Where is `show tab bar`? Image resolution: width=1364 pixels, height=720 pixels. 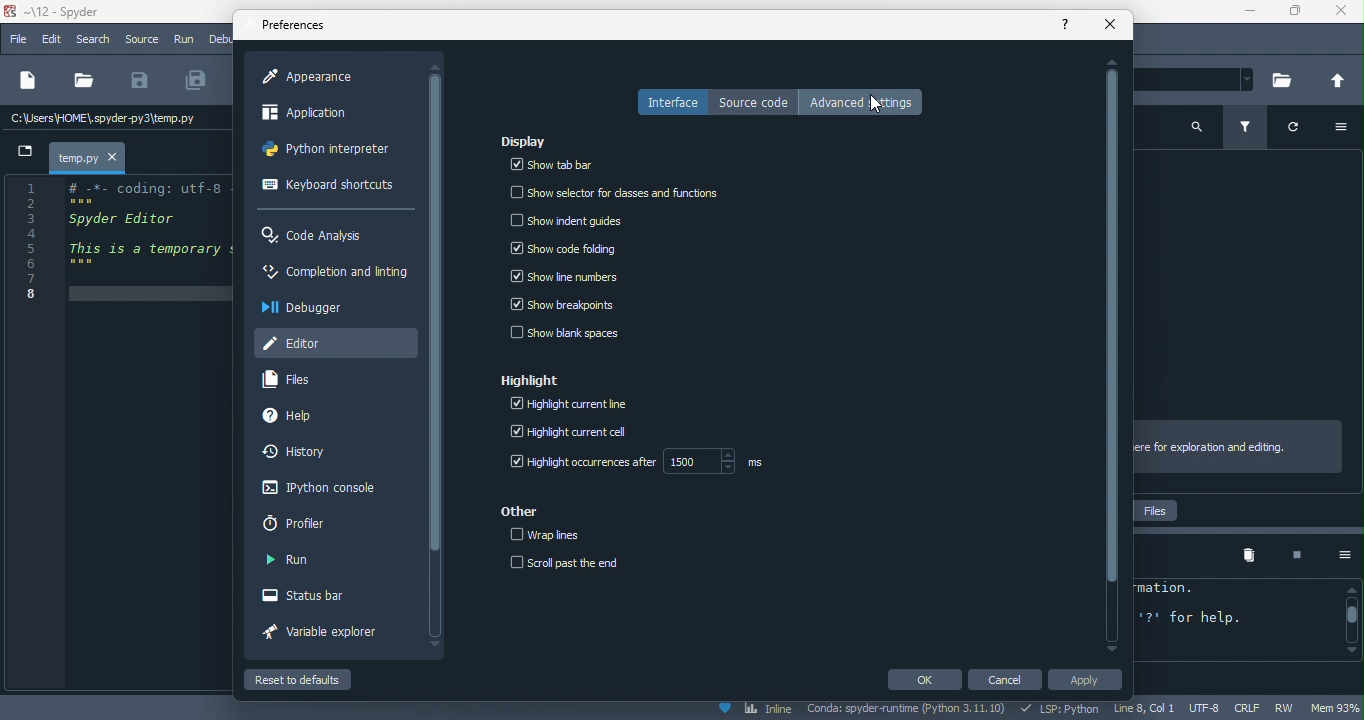
show tab bar is located at coordinates (554, 164).